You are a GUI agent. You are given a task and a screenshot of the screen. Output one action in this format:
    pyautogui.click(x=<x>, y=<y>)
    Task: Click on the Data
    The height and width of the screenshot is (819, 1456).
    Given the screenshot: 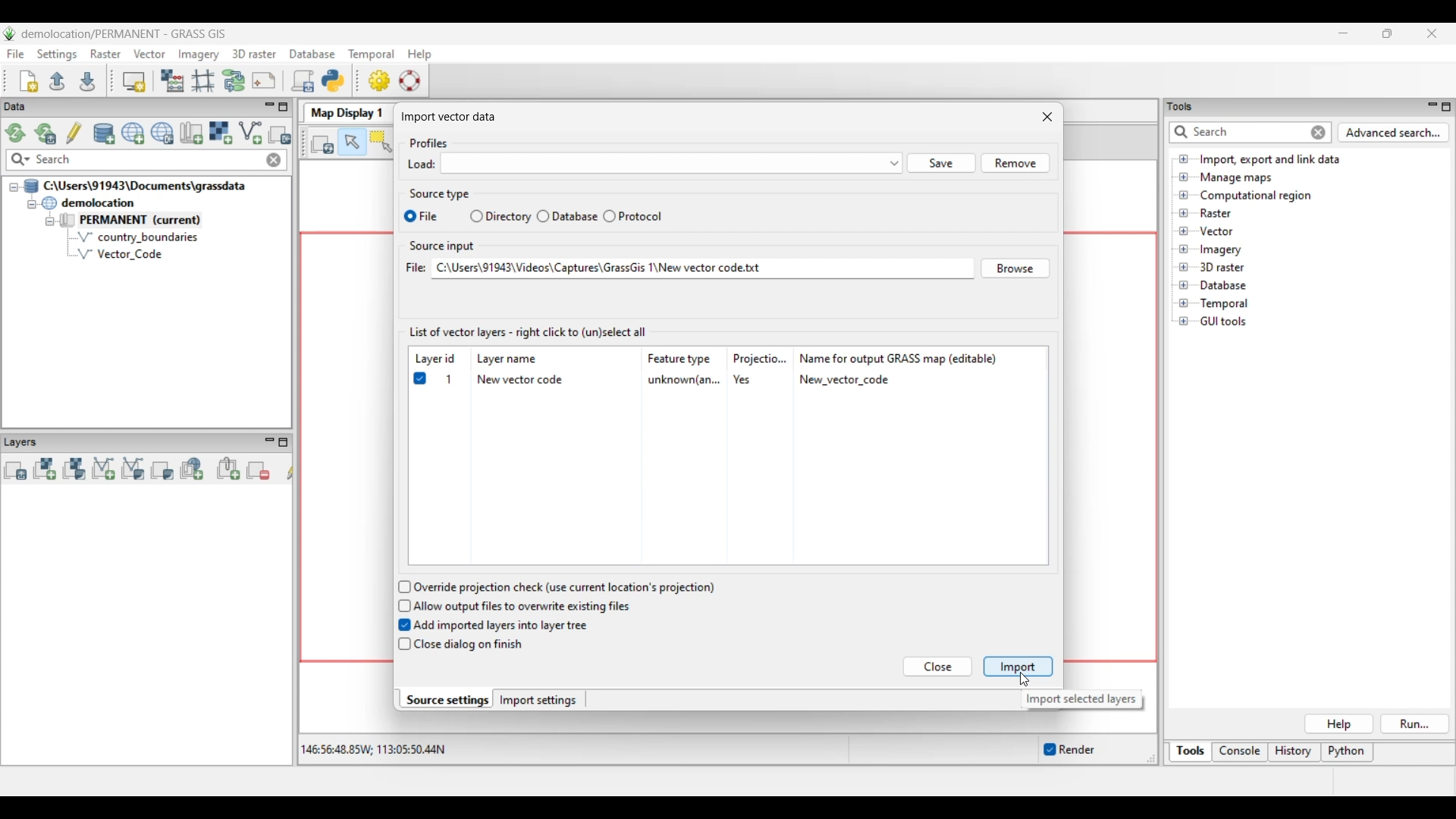 What is the action you would take?
    pyautogui.click(x=28, y=107)
    